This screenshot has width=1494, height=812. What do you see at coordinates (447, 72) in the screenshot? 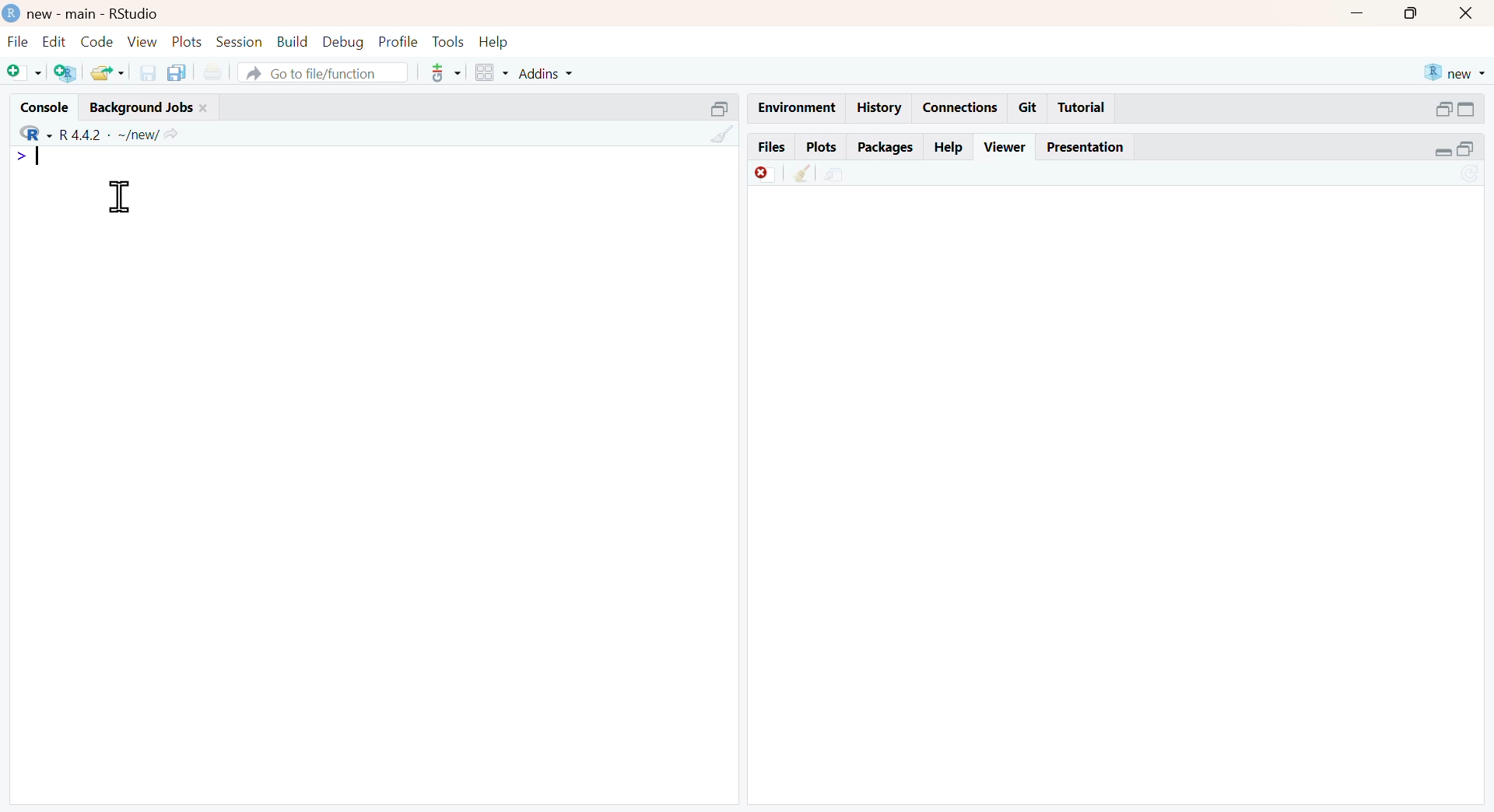
I see `tools` at bounding box center [447, 72].